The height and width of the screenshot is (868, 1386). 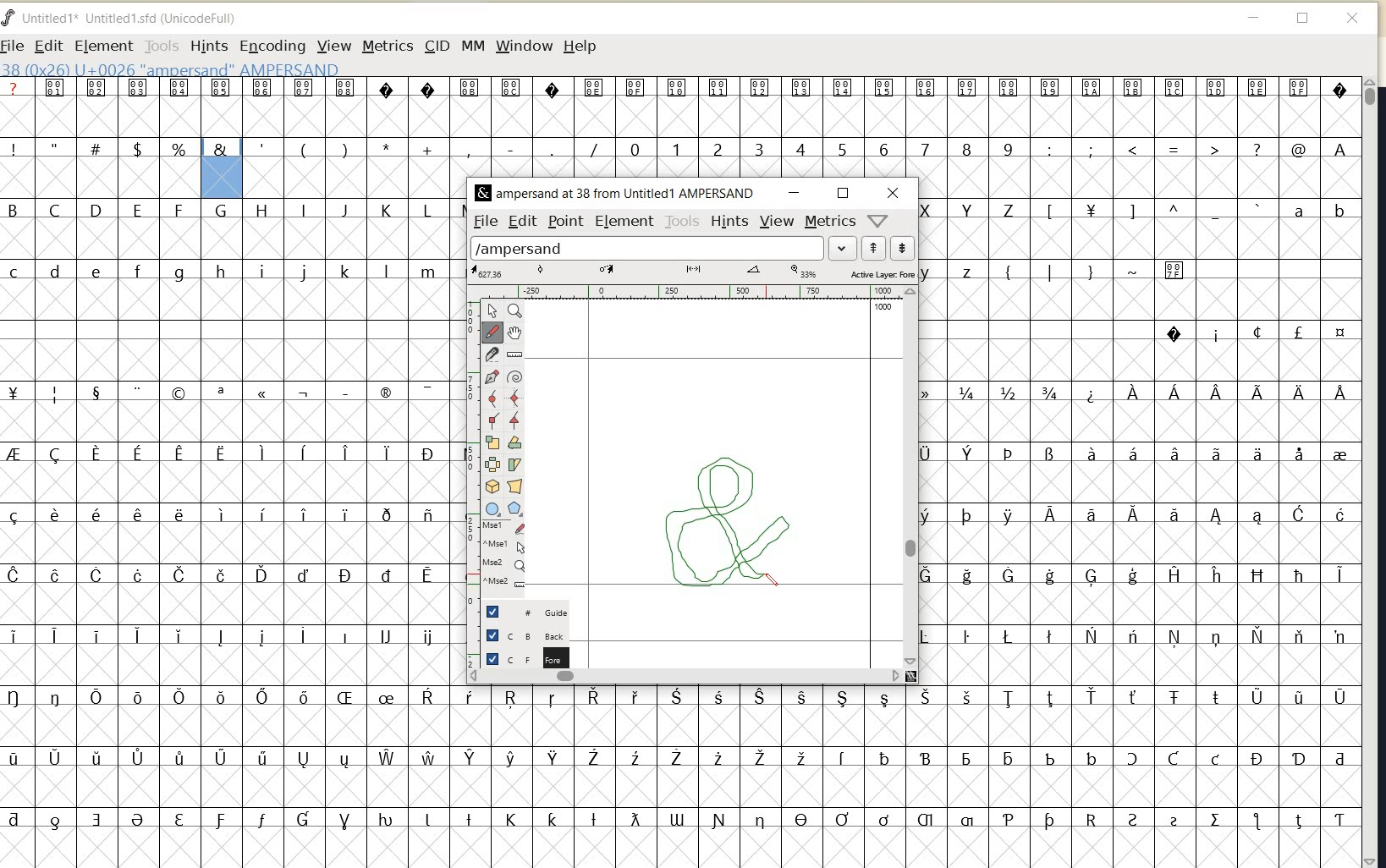 I want to click on glyph characters & numbers, so click(x=802, y=127).